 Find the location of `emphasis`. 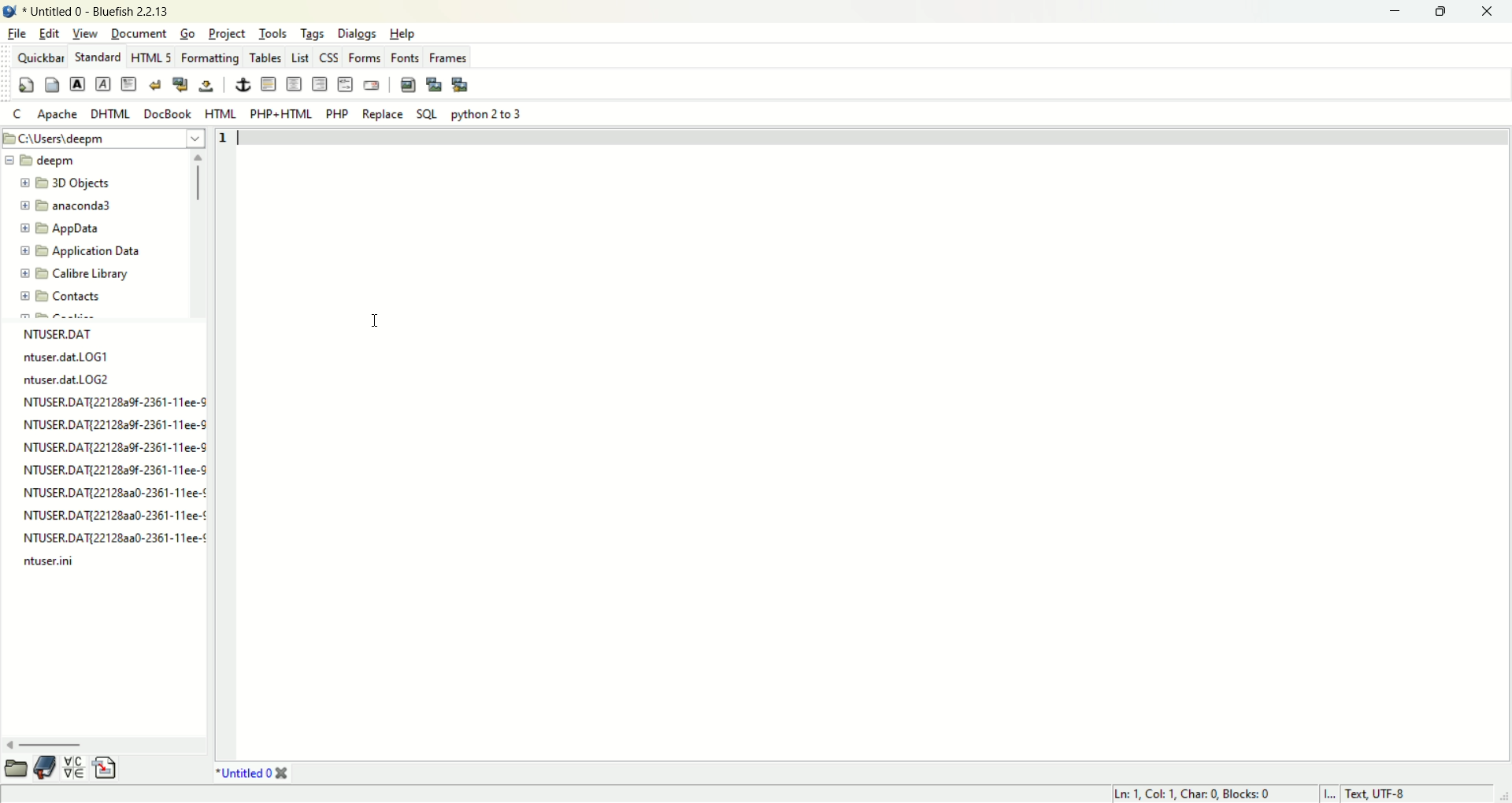

emphasis is located at coordinates (103, 83).